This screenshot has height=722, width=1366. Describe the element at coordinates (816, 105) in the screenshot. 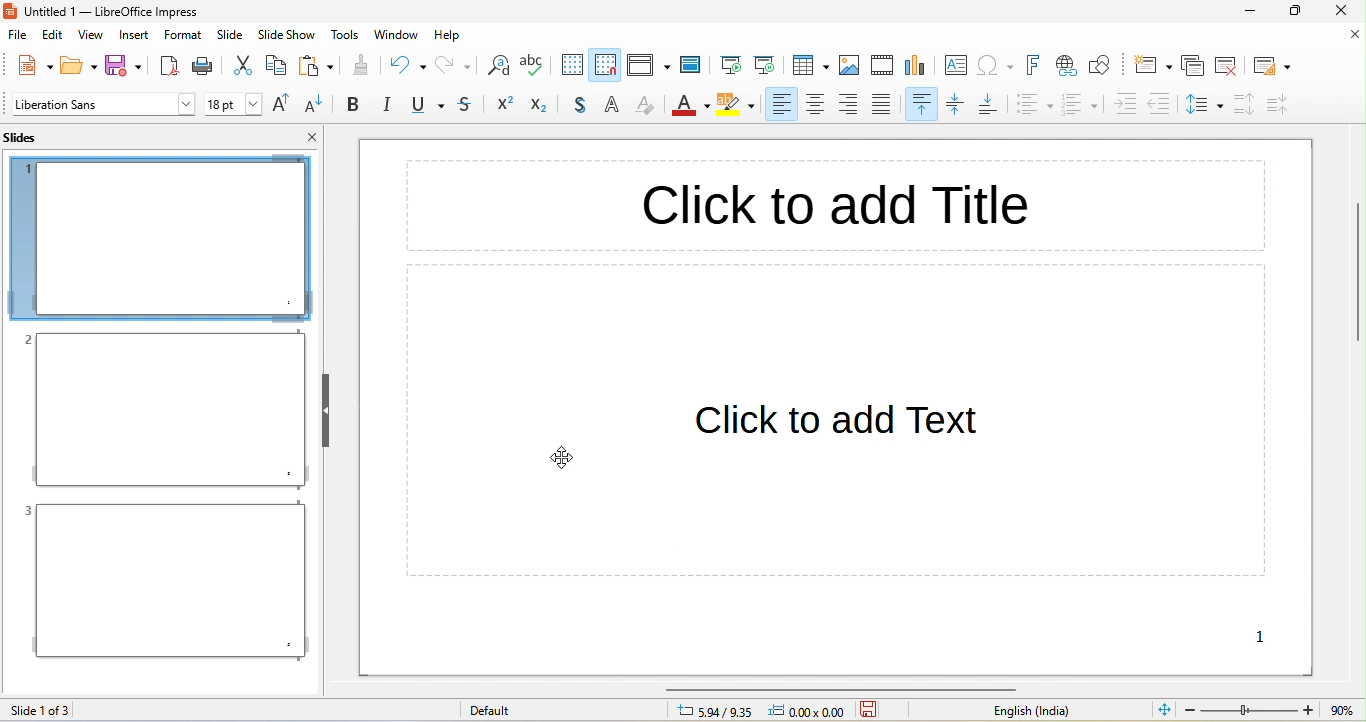

I see `align center` at that location.